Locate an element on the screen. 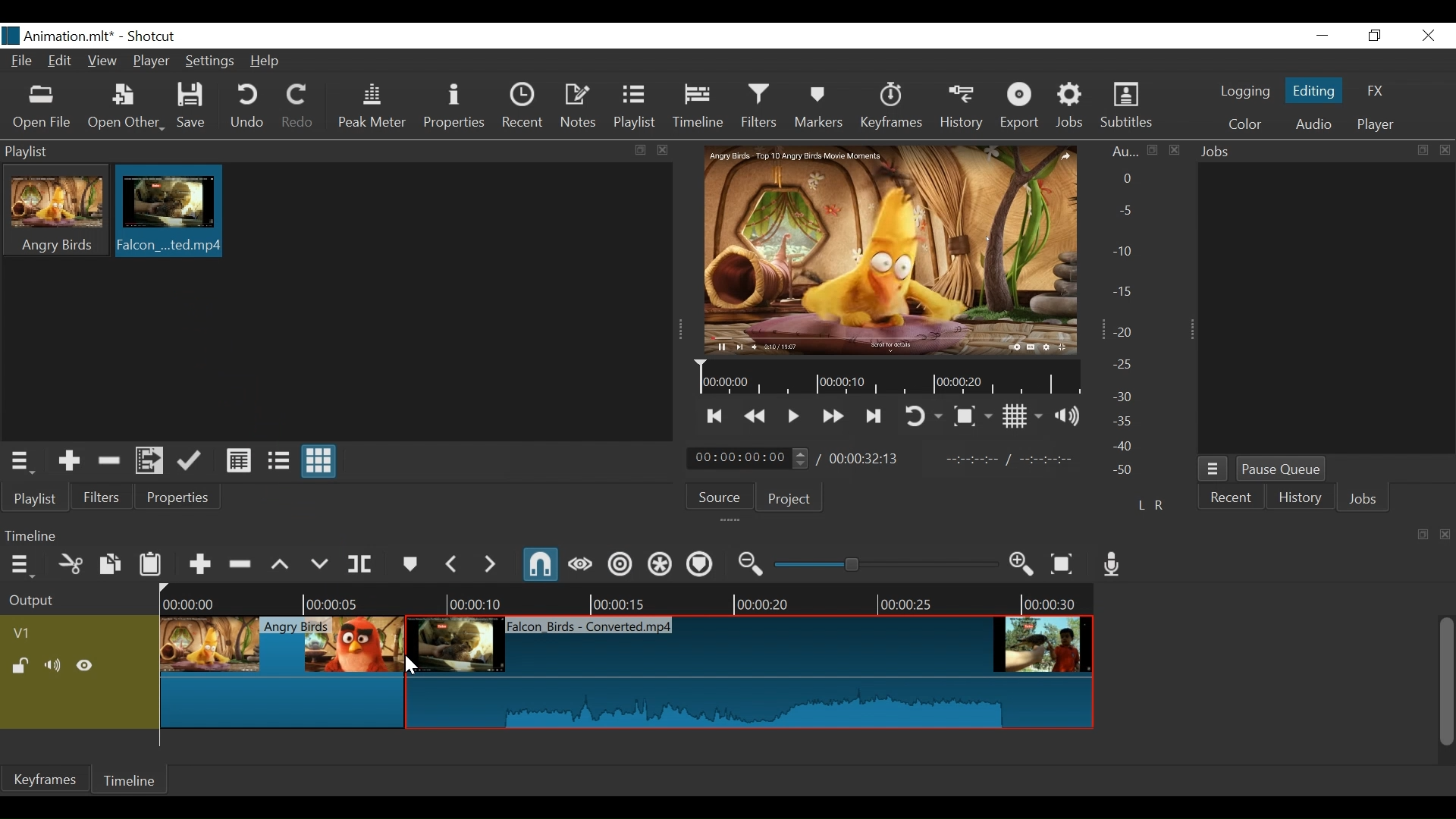 Image resolution: width=1456 pixels, height=819 pixels. cursor is located at coordinates (410, 670).